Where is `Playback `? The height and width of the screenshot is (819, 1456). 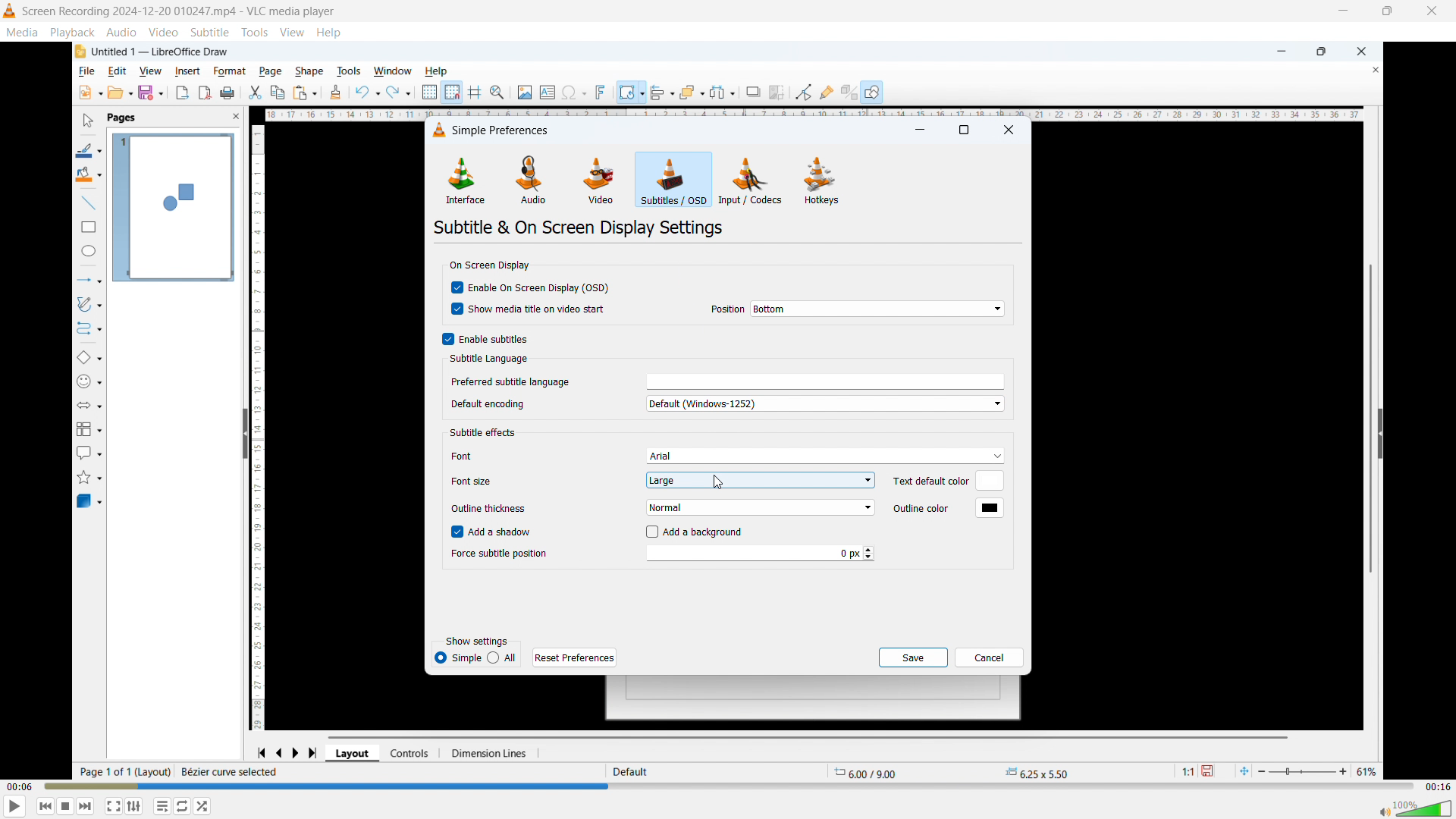 Playback  is located at coordinates (74, 33).